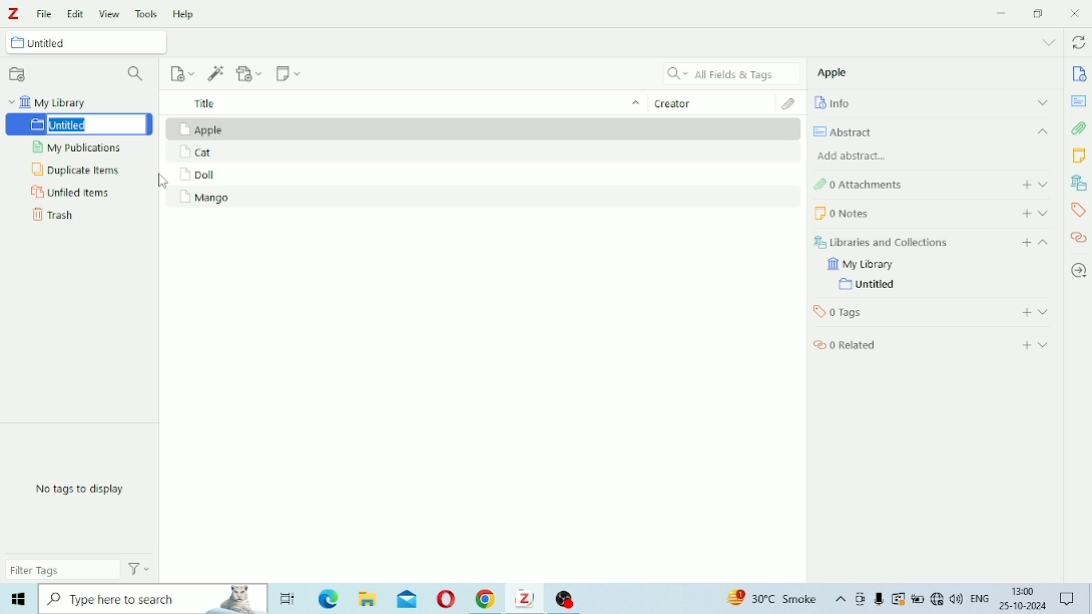 This screenshot has height=614, width=1092. What do you see at coordinates (216, 72) in the screenshot?
I see `Add Item (s) by Identifier` at bounding box center [216, 72].